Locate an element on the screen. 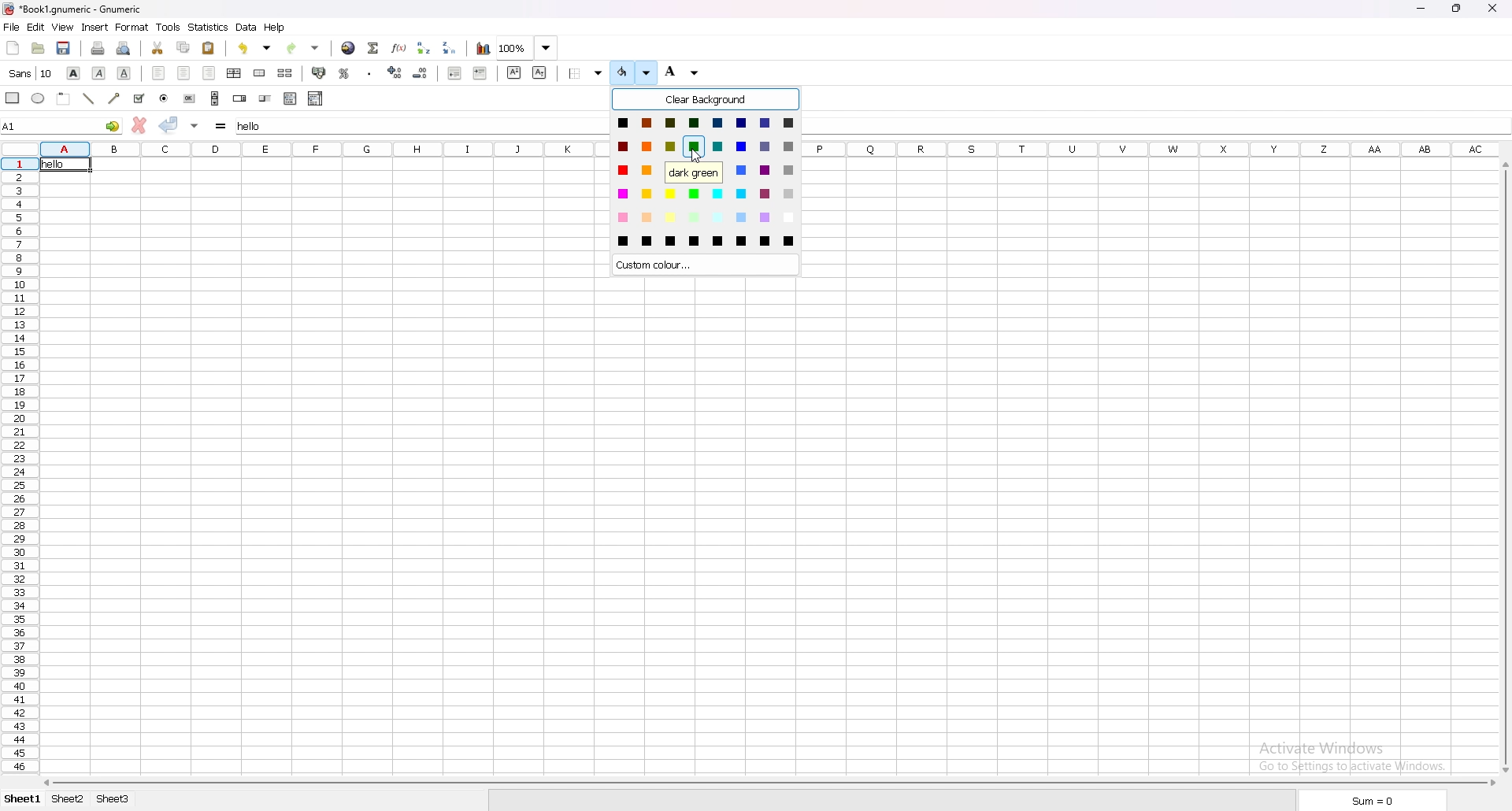 The width and height of the screenshot is (1512, 811). list is located at coordinates (291, 98).